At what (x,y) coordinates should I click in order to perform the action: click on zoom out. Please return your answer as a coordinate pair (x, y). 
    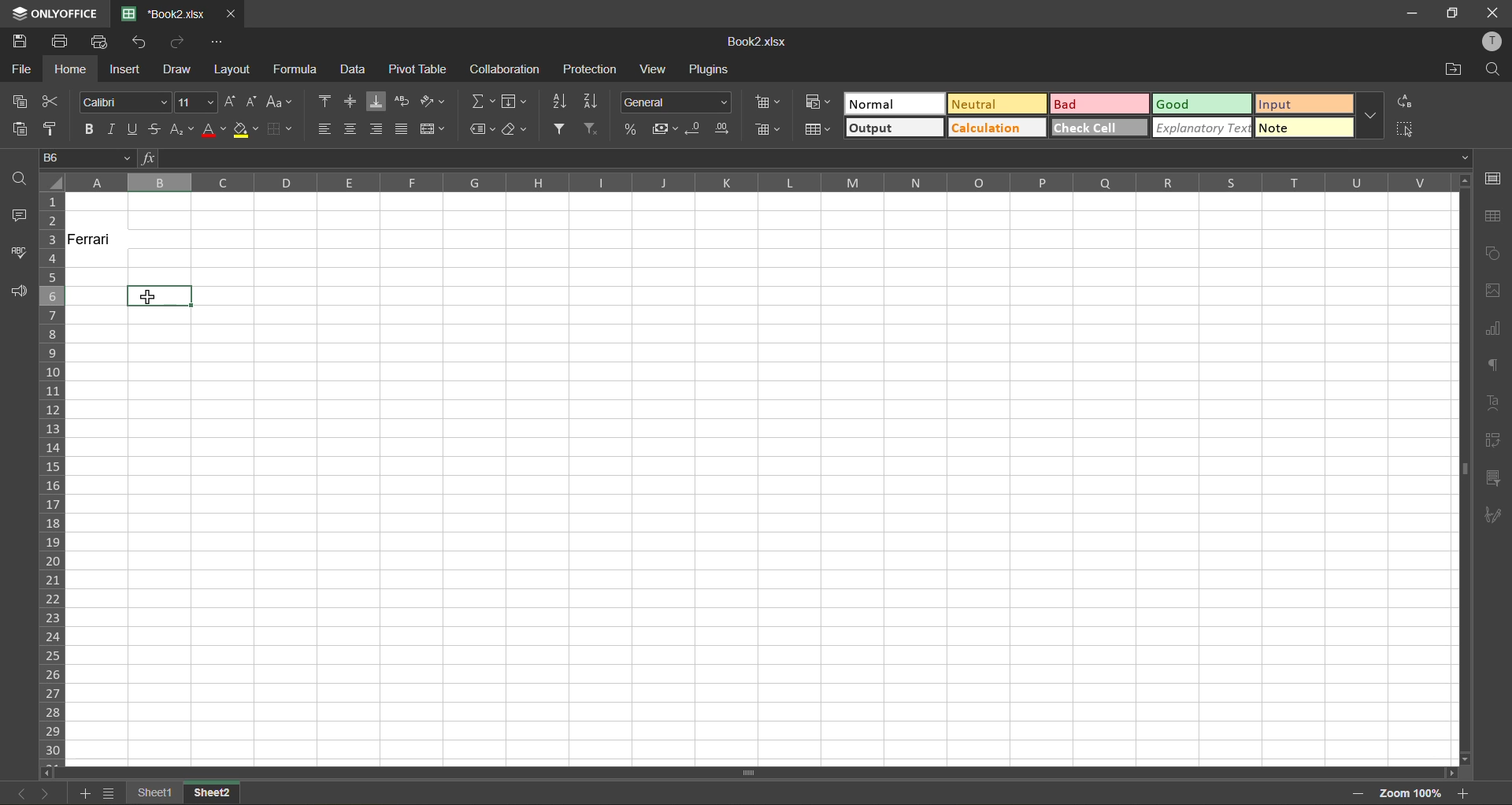
    Looking at the image, I should click on (1358, 794).